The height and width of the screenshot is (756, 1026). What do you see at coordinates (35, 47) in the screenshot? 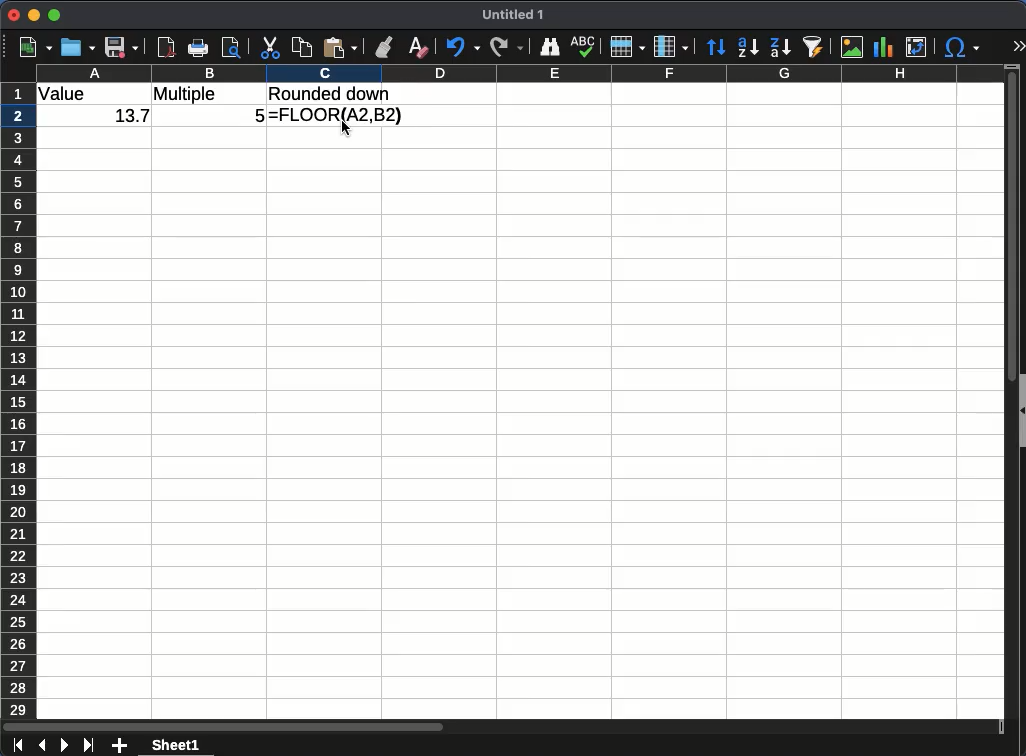
I see `new` at bounding box center [35, 47].